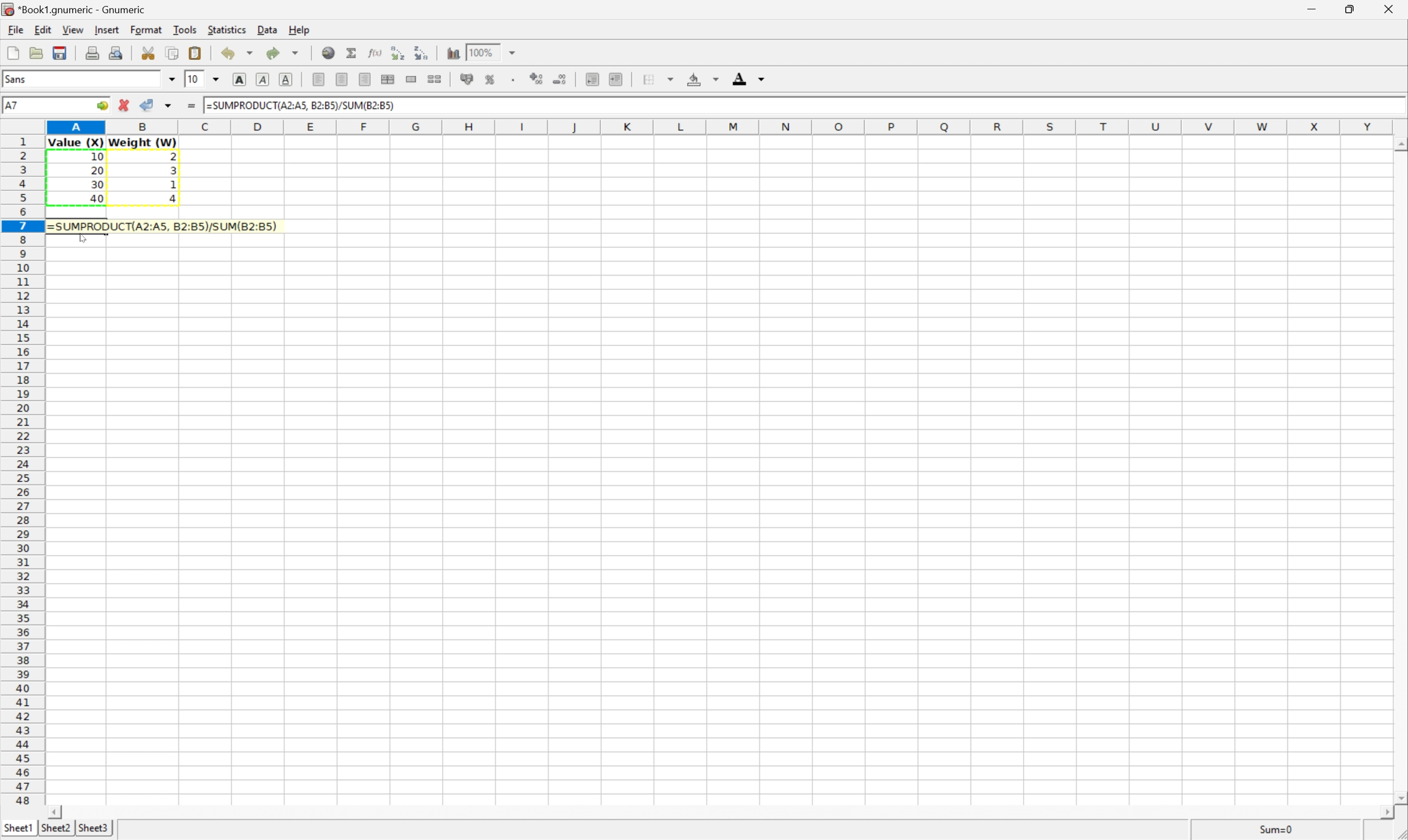  Describe the element at coordinates (1311, 8) in the screenshot. I see `Minimize` at that location.